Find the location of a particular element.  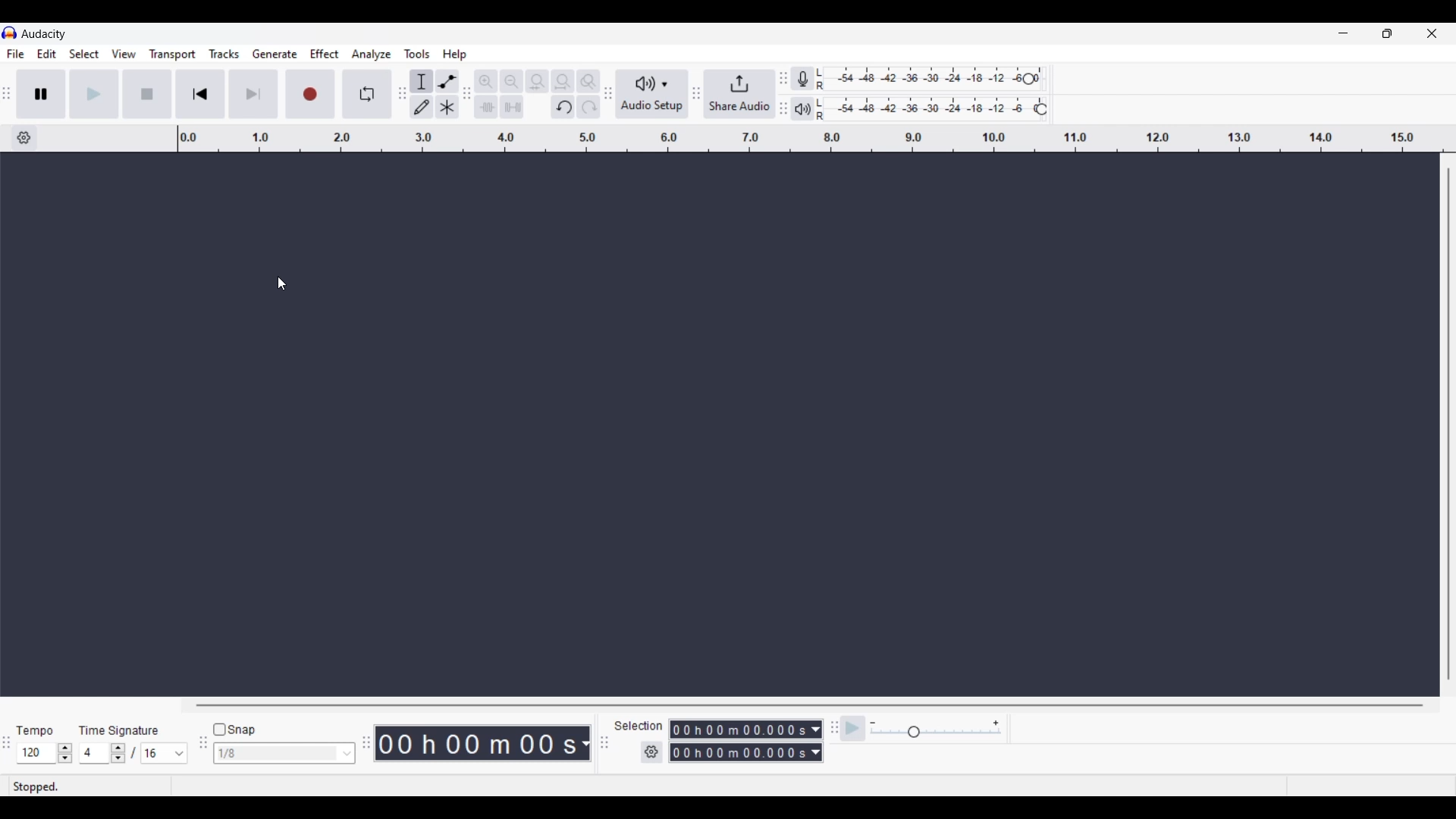

Transport menu is located at coordinates (173, 54).